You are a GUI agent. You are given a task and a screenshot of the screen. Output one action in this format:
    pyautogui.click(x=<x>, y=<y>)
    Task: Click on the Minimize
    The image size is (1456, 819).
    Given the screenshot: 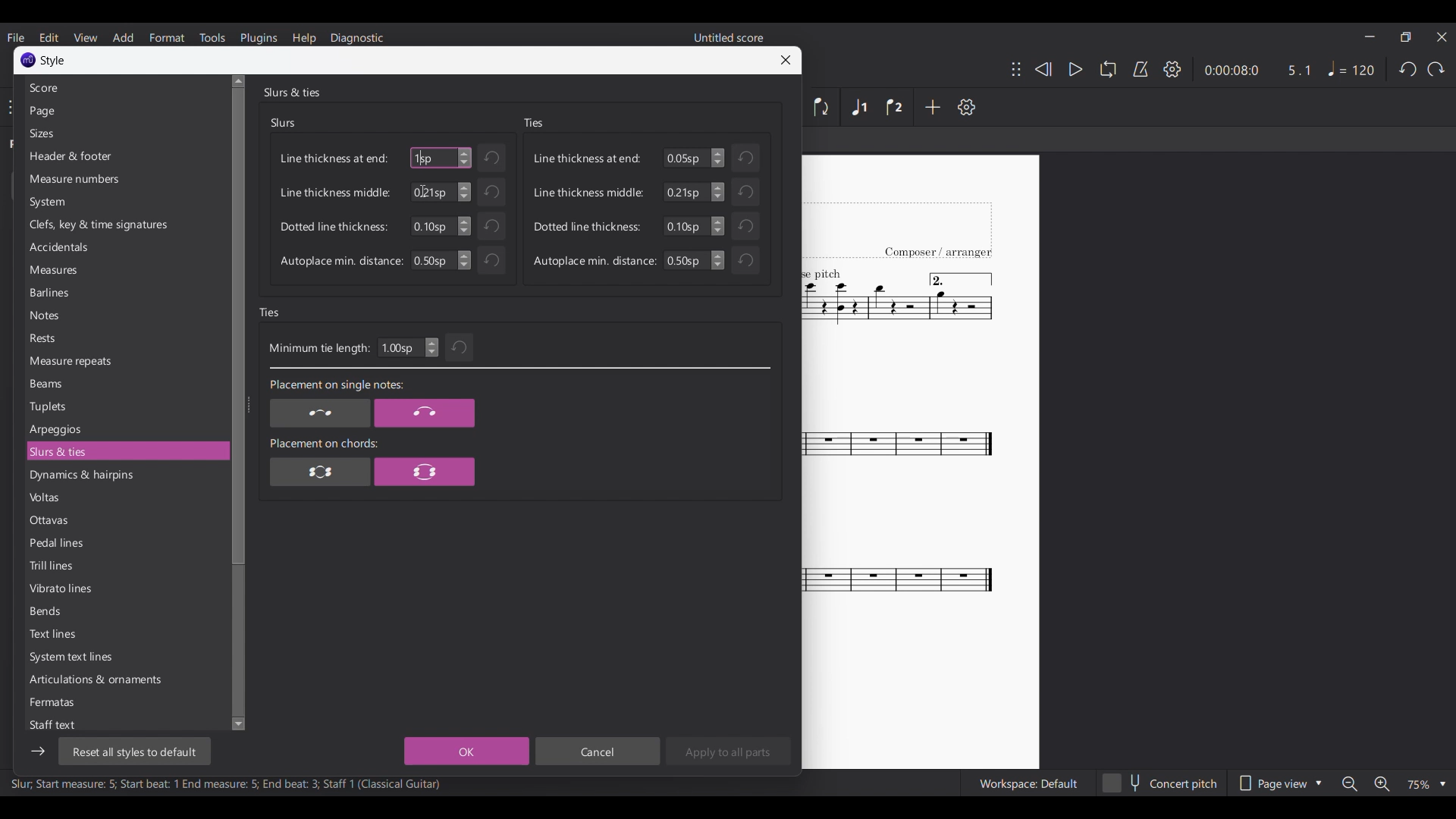 What is the action you would take?
    pyautogui.click(x=1370, y=36)
    